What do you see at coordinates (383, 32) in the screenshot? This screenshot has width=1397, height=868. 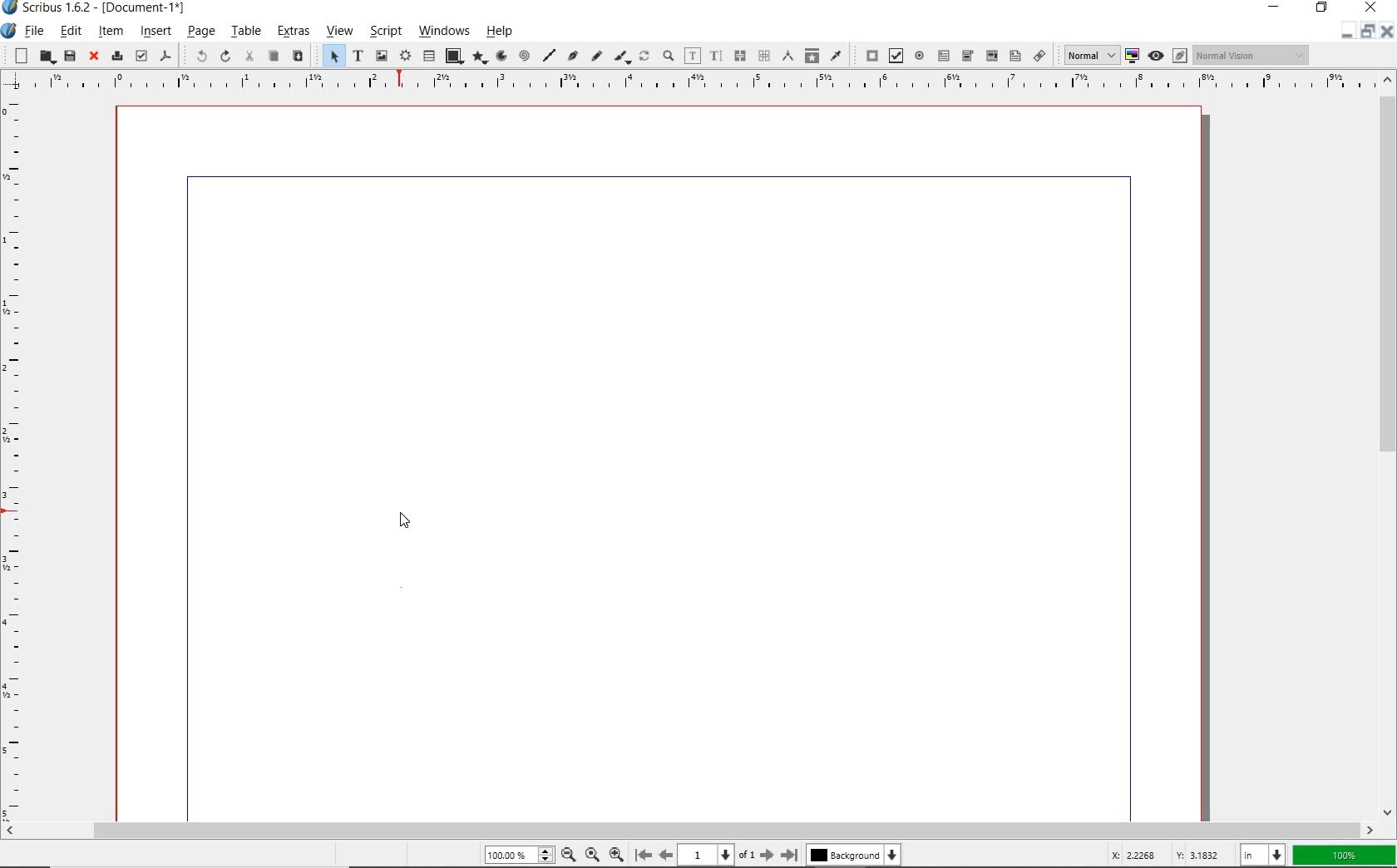 I see `script` at bounding box center [383, 32].